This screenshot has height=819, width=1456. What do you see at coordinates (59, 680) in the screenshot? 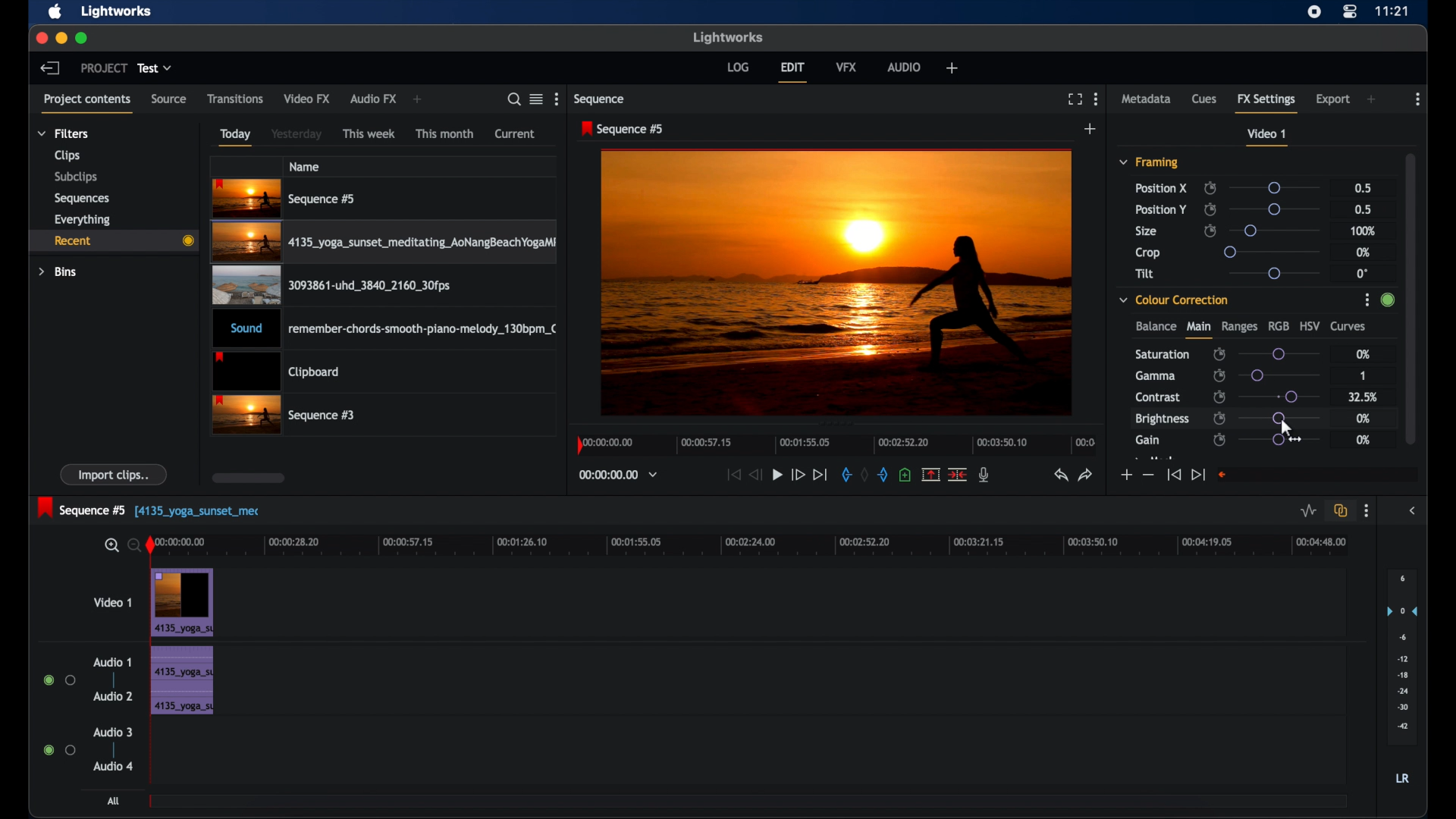
I see `radio button` at bounding box center [59, 680].